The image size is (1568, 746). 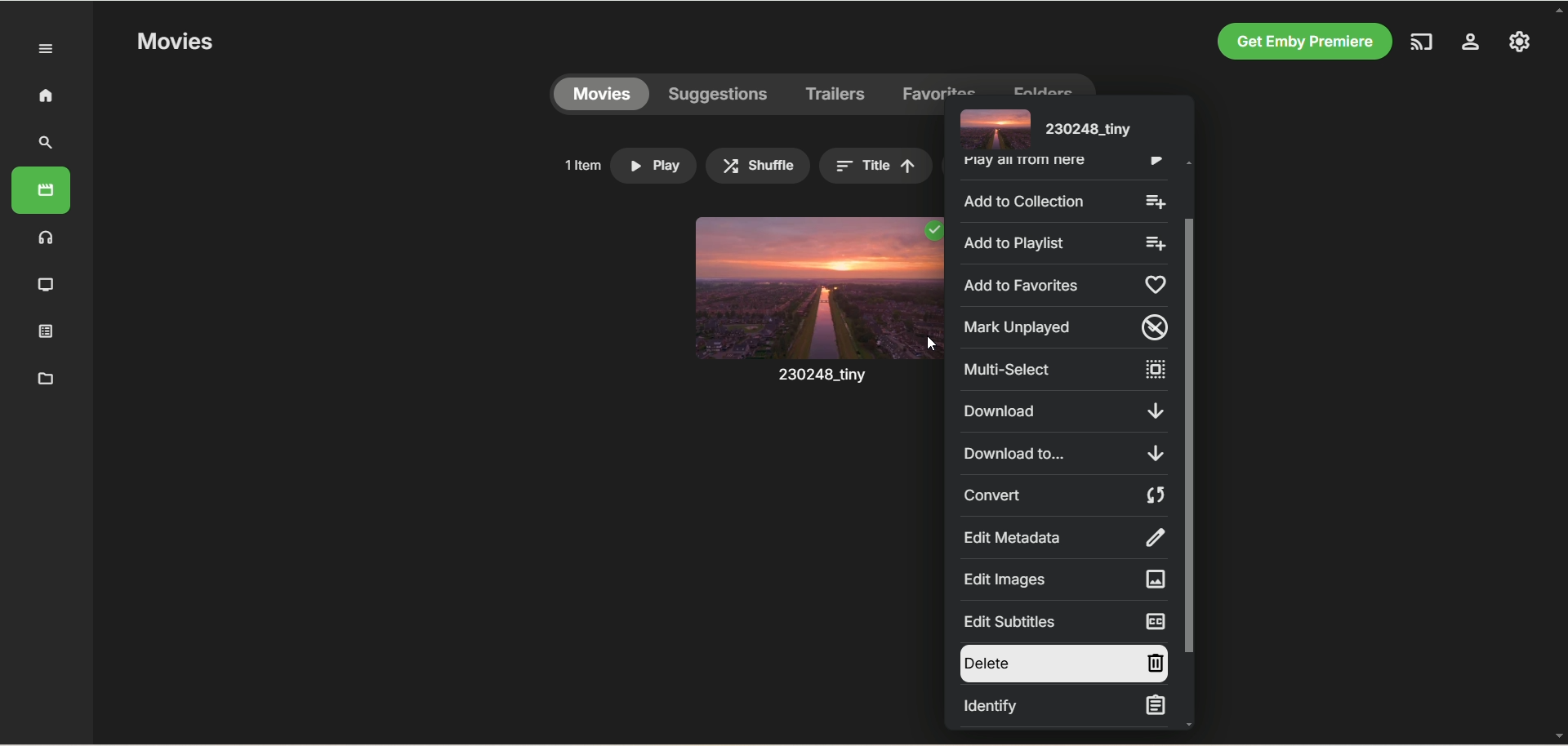 I want to click on play on another device, so click(x=1423, y=42).